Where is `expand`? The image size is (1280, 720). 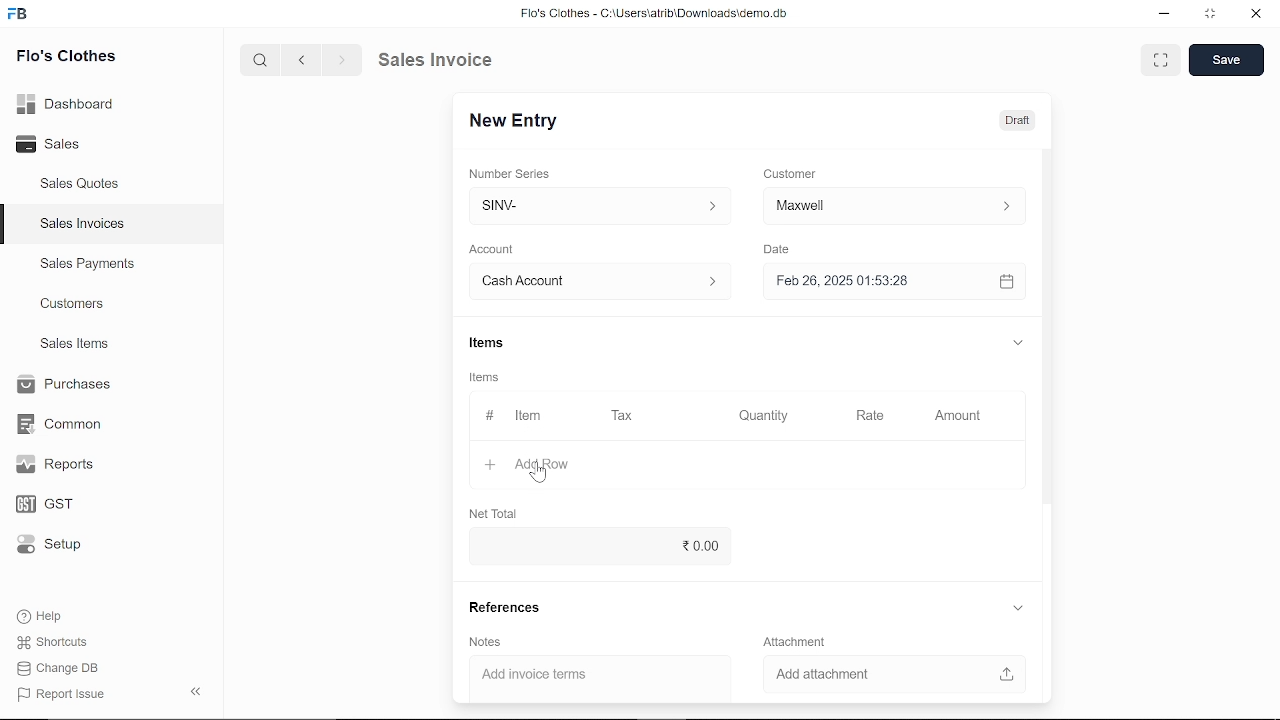 expand is located at coordinates (1019, 609).